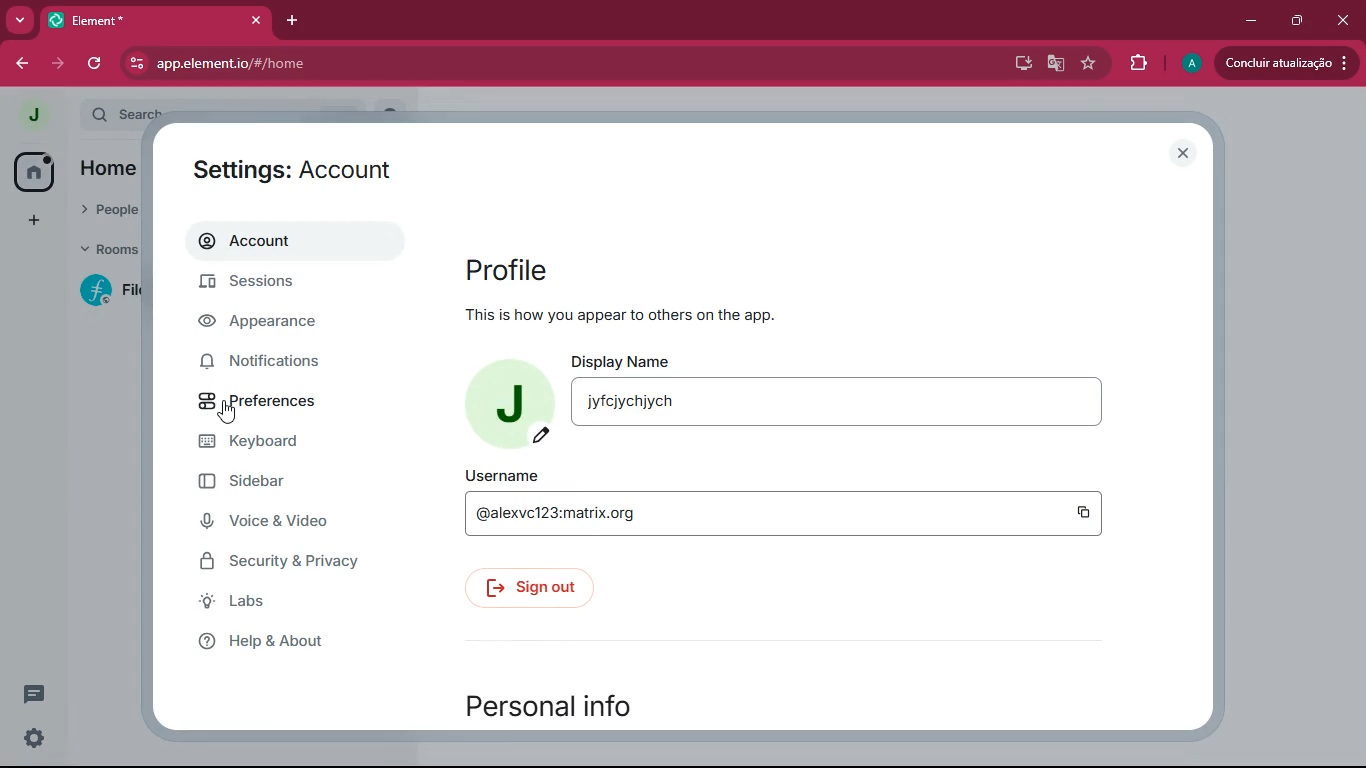 This screenshot has height=768, width=1366. What do you see at coordinates (512, 406) in the screenshot?
I see `profile picture` at bounding box center [512, 406].